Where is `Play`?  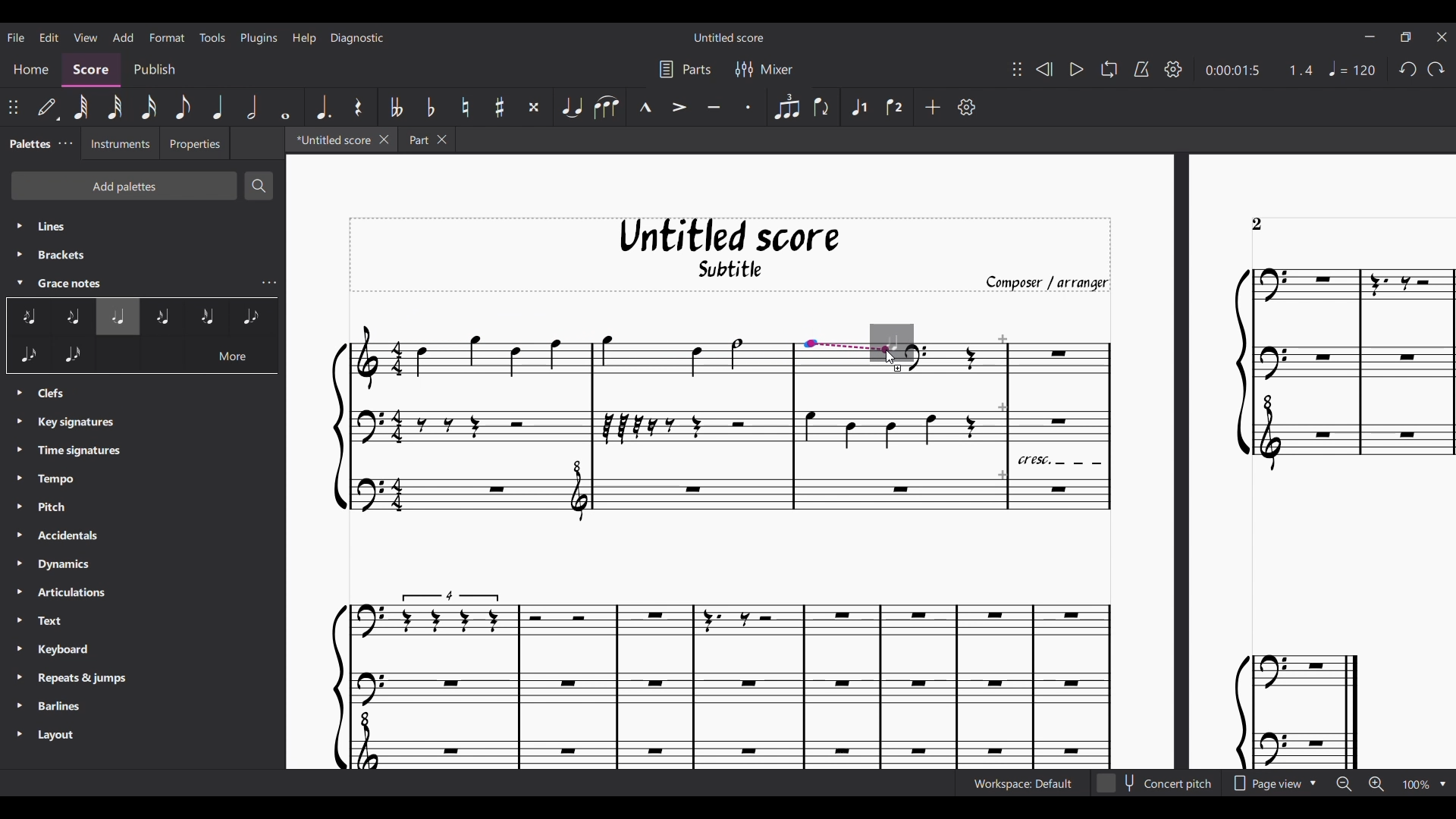
Play is located at coordinates (1077, 69).